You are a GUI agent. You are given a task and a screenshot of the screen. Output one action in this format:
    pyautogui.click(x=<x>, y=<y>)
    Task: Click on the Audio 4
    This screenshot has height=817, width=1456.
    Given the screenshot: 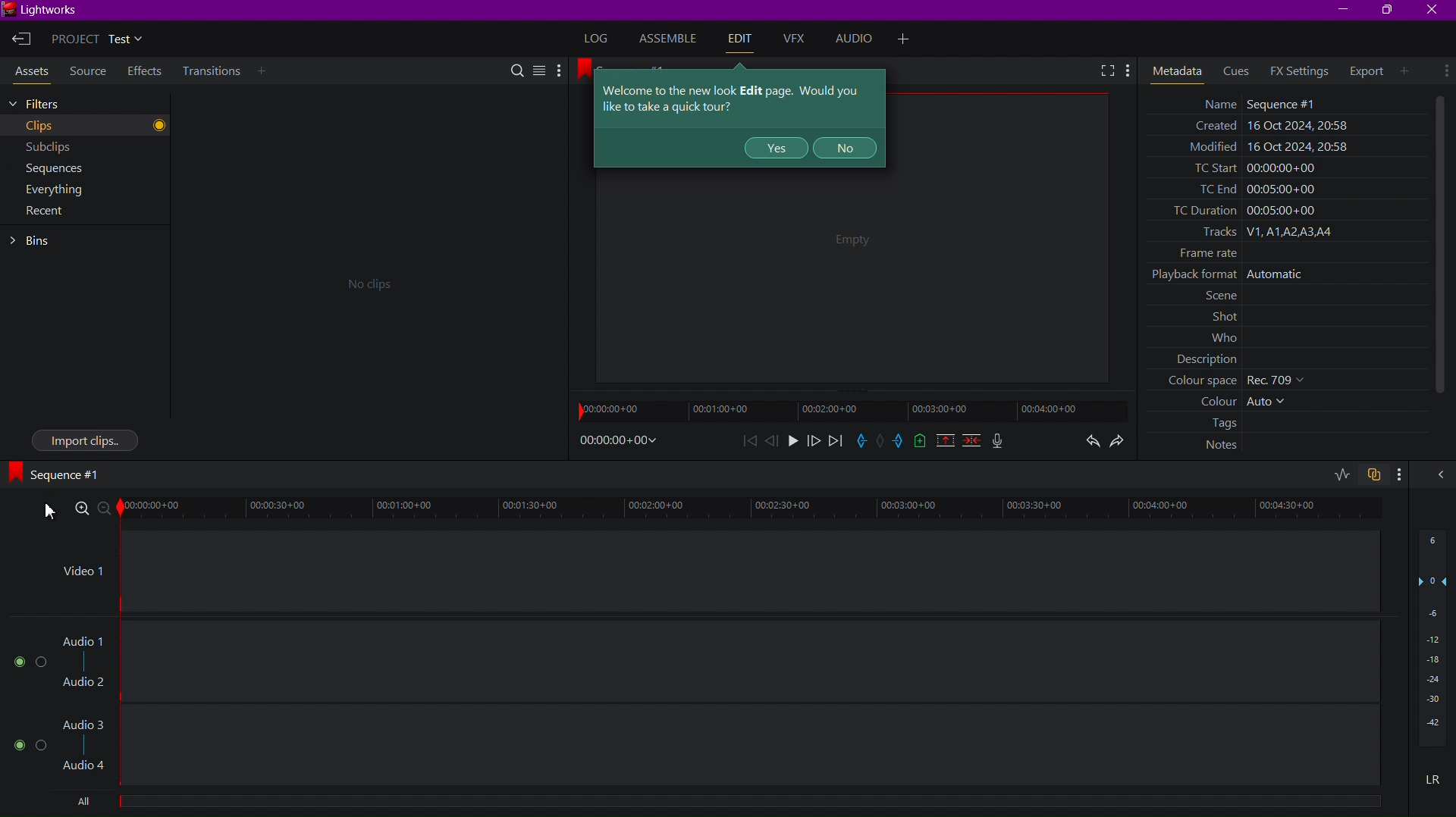 What is the action you would take?
    pyautogui.click(x=87, y=765)
    